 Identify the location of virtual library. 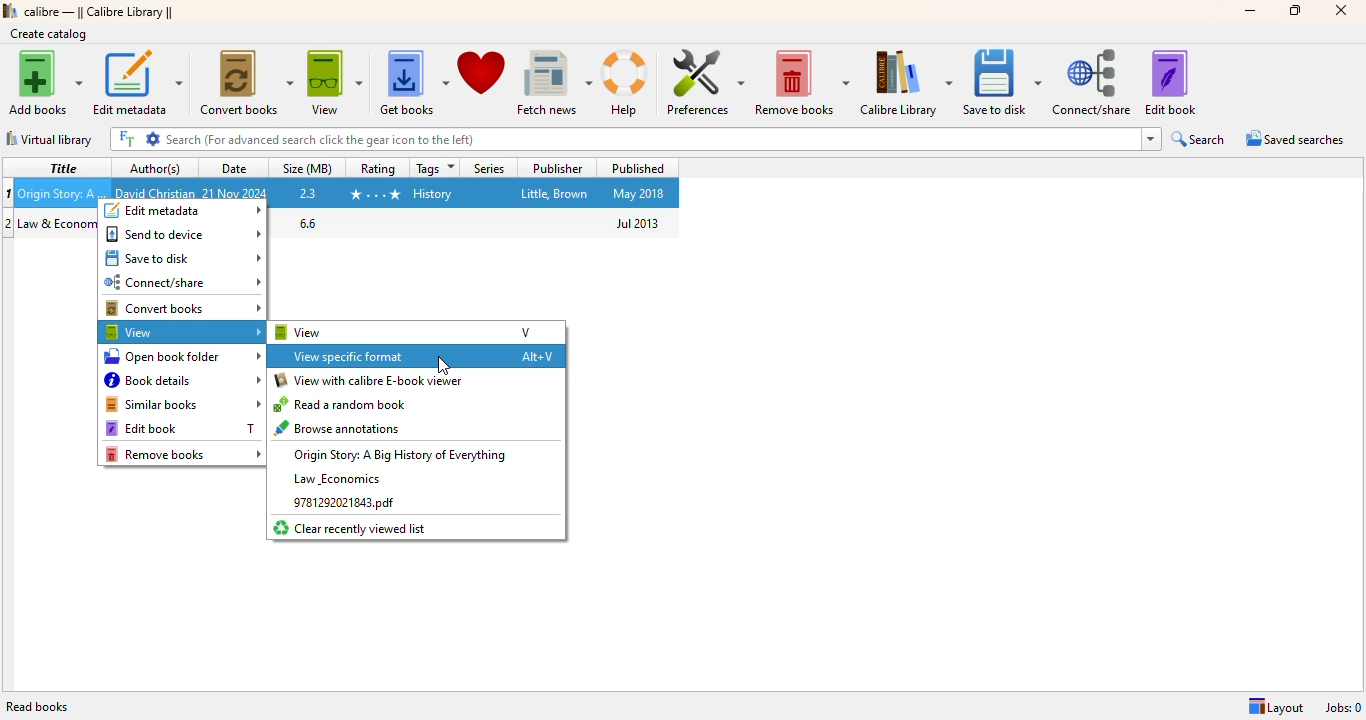
(49, 139).